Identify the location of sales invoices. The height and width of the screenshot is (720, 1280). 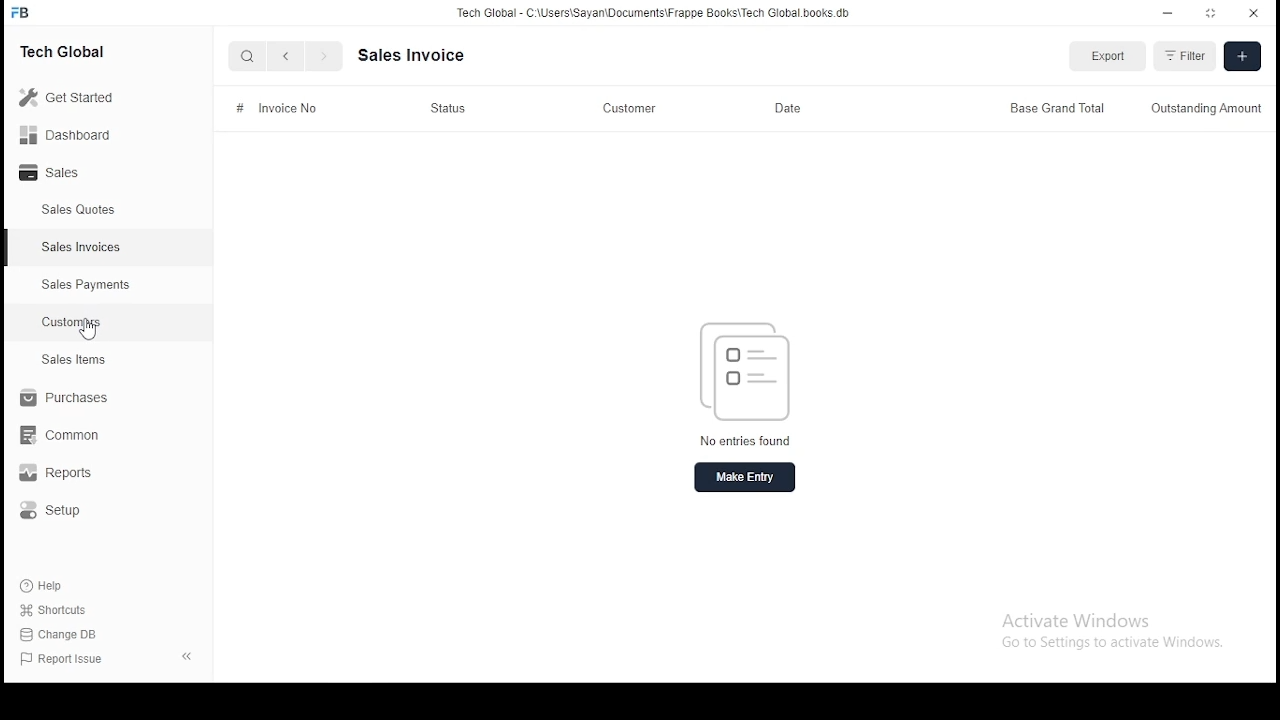
(80, 247).